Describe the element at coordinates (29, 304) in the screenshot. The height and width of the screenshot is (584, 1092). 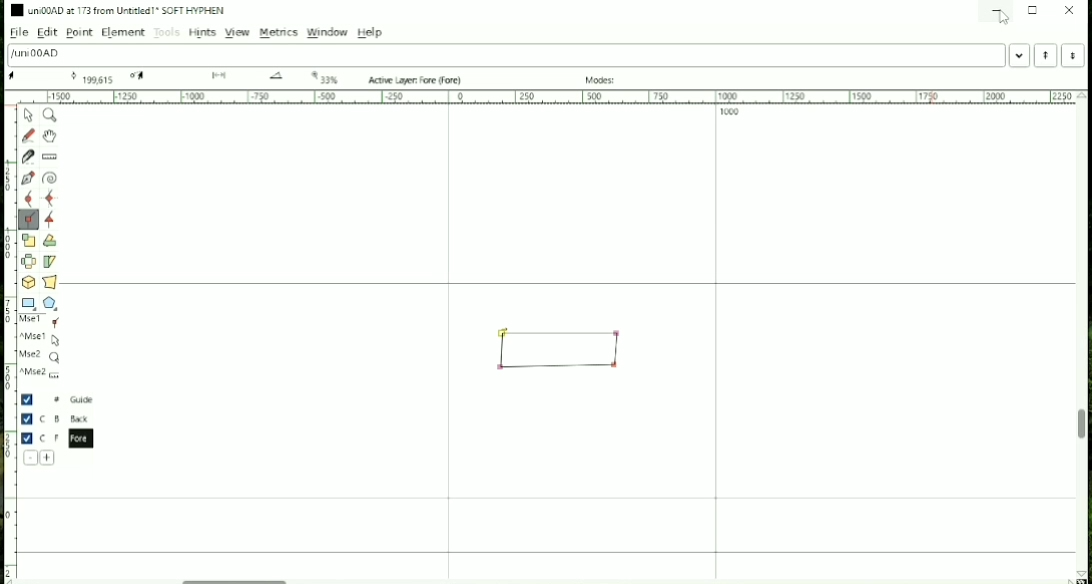
I see `Rectangle or Ellipse` at that location.